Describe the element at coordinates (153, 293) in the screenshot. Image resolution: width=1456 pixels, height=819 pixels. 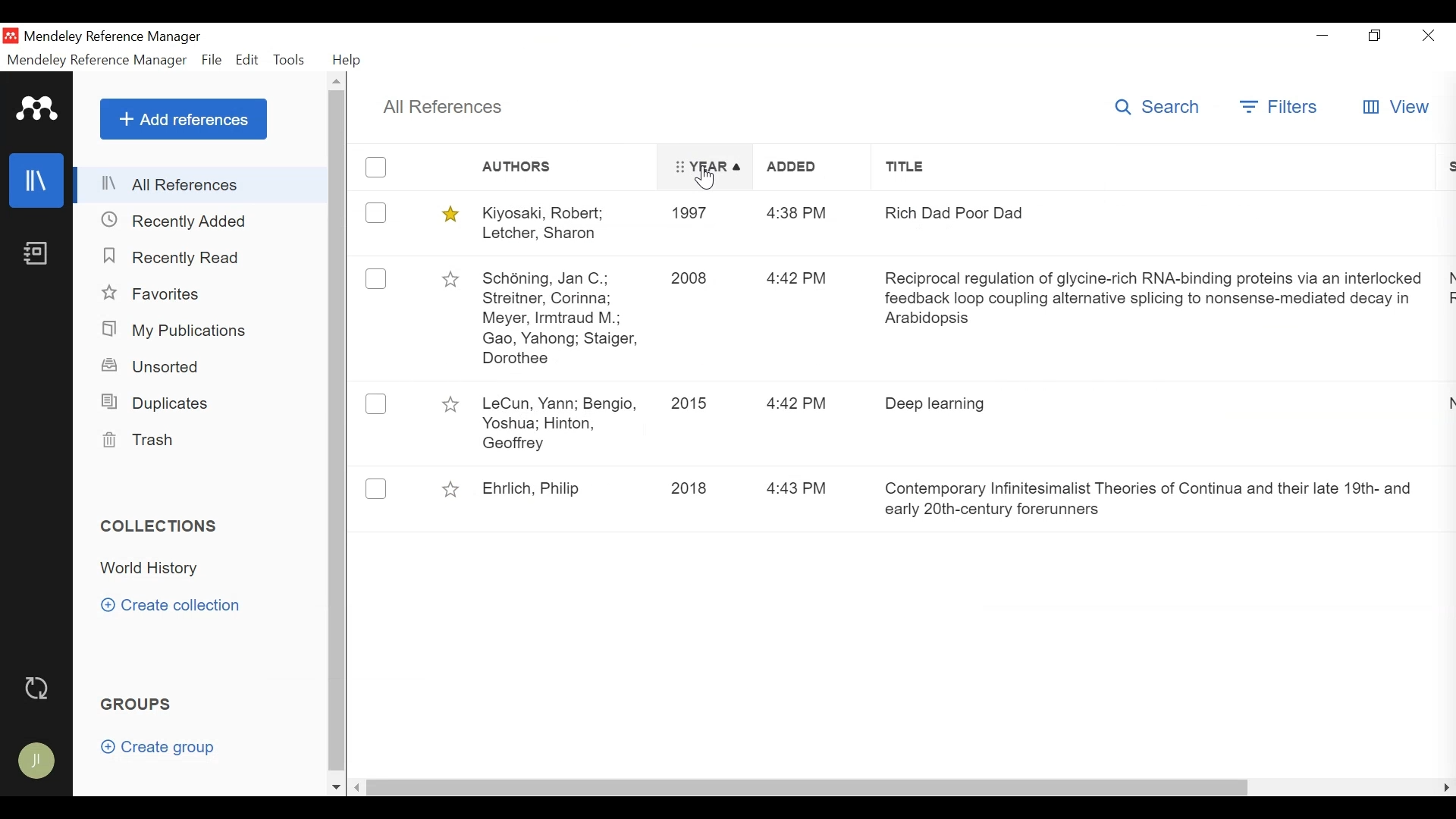
I see `Favorites` at that location.